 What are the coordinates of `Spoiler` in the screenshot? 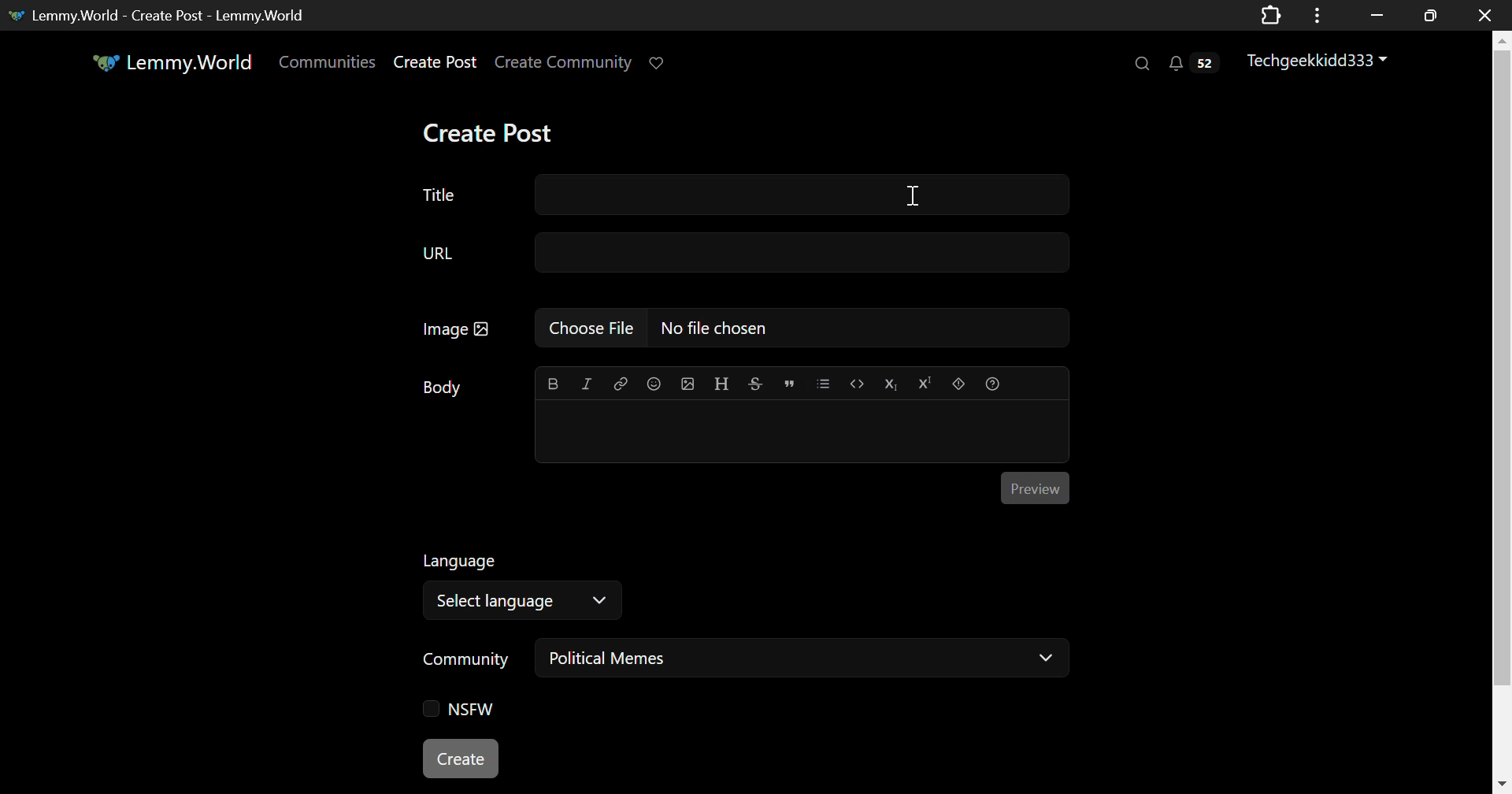 It's located at (958, 382).